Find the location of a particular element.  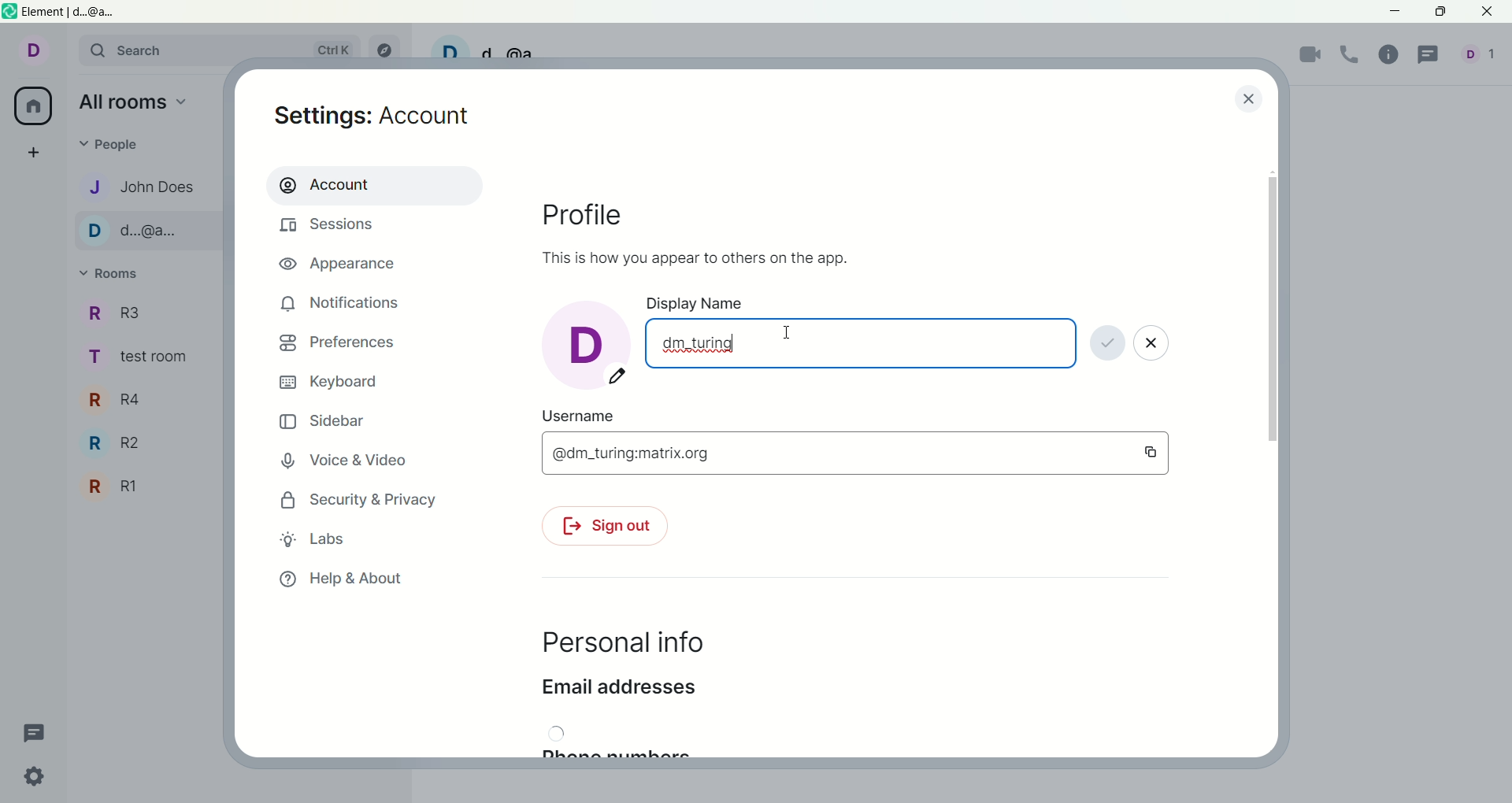

voice and video is located at coordinates (353, 462).